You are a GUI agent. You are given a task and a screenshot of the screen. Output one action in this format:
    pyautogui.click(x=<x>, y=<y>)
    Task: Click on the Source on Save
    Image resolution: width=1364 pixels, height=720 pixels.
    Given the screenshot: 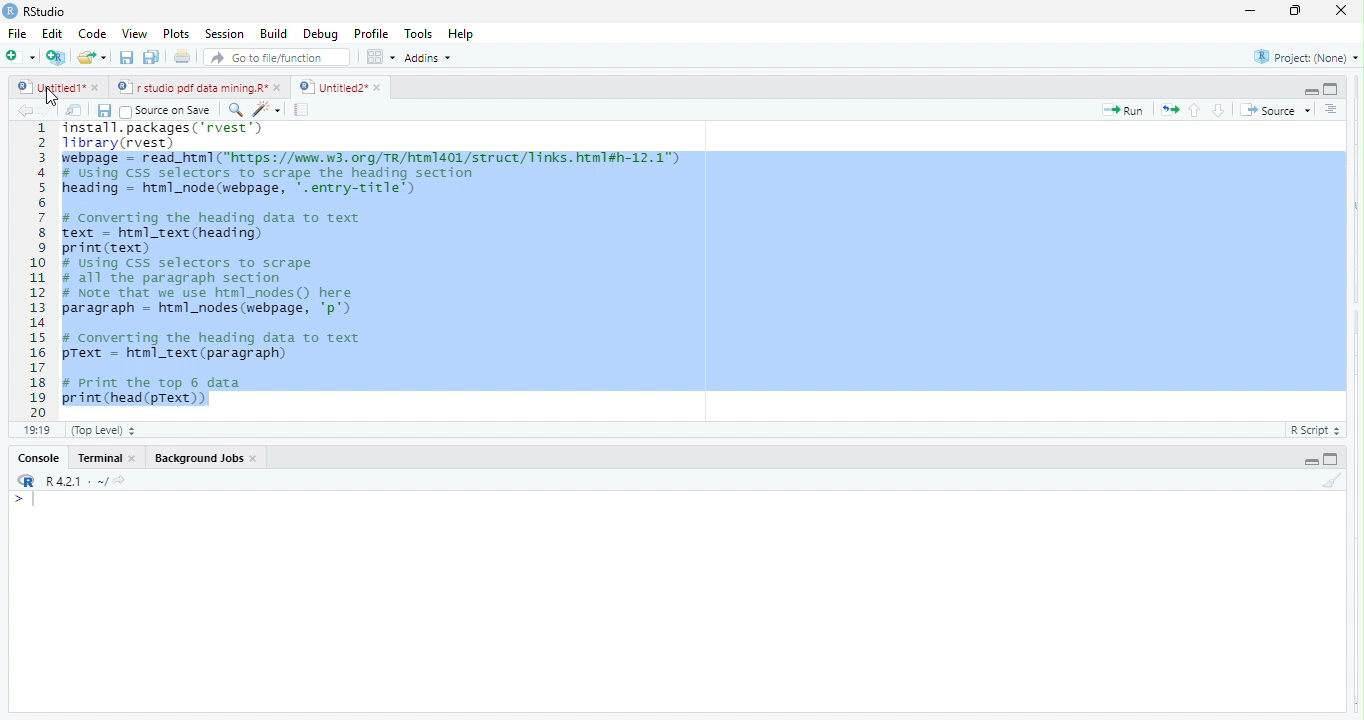 What is the action you would take?
    pyautogui.click(x=168, y=111)
    